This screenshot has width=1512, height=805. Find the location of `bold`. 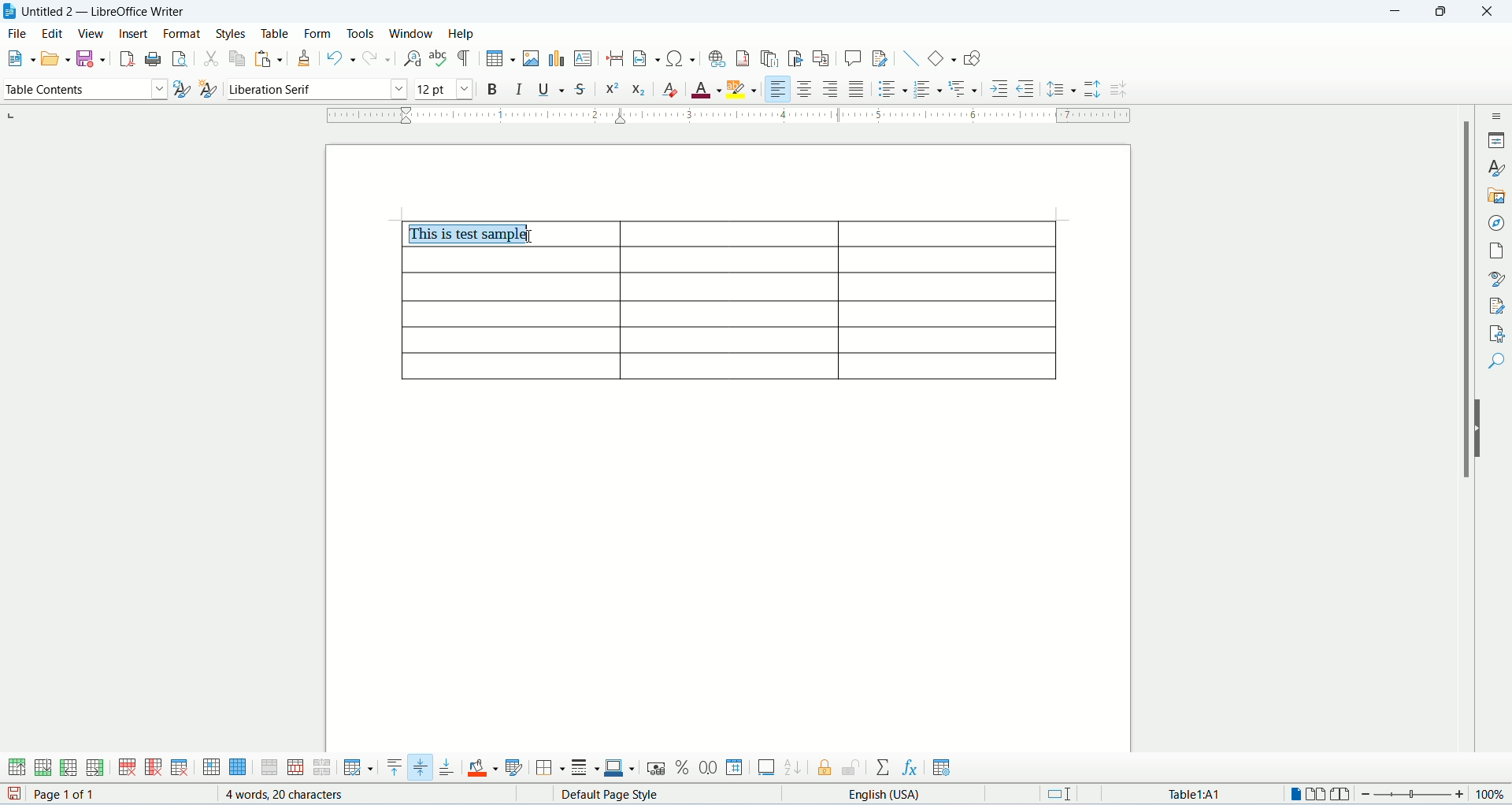

bold is located at coordinates (495, 90).